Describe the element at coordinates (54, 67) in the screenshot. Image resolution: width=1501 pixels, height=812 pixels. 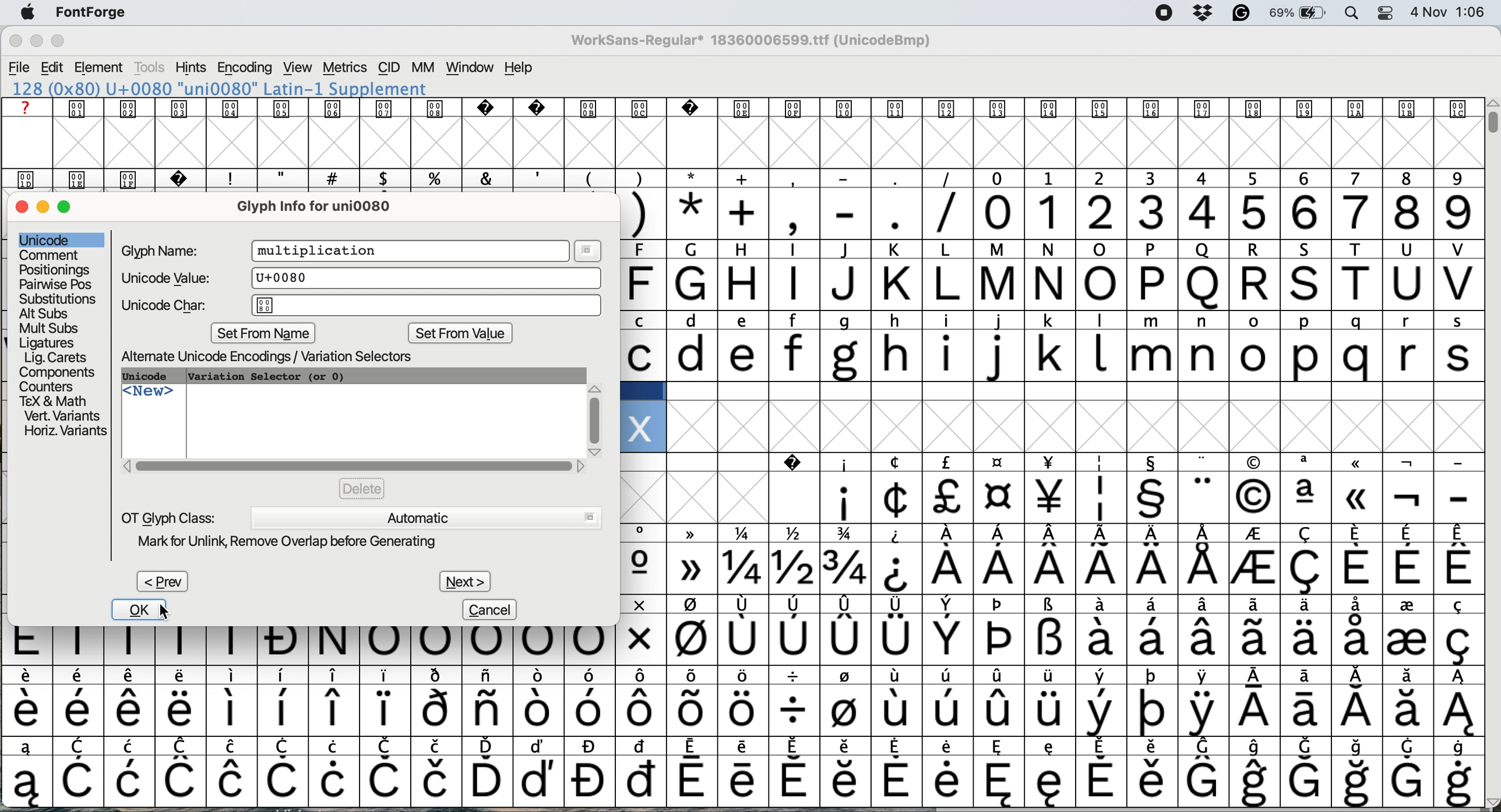
I see `edit` at that location.